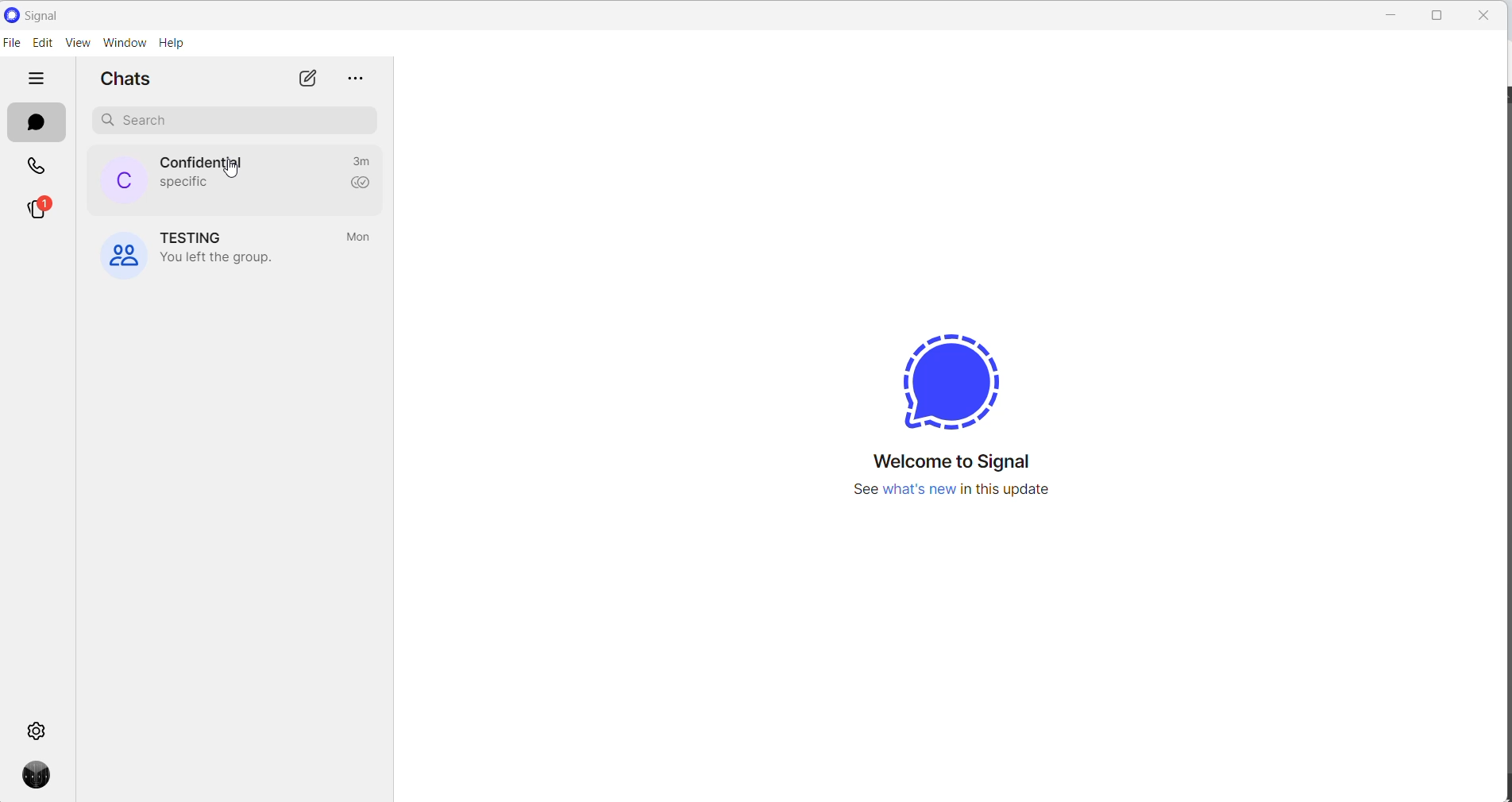 This screenshot has width=1512, height=802. What do you see at coordinates (44, 777) in the screenshot?
I see `profile` at bounding box center [44, 777].